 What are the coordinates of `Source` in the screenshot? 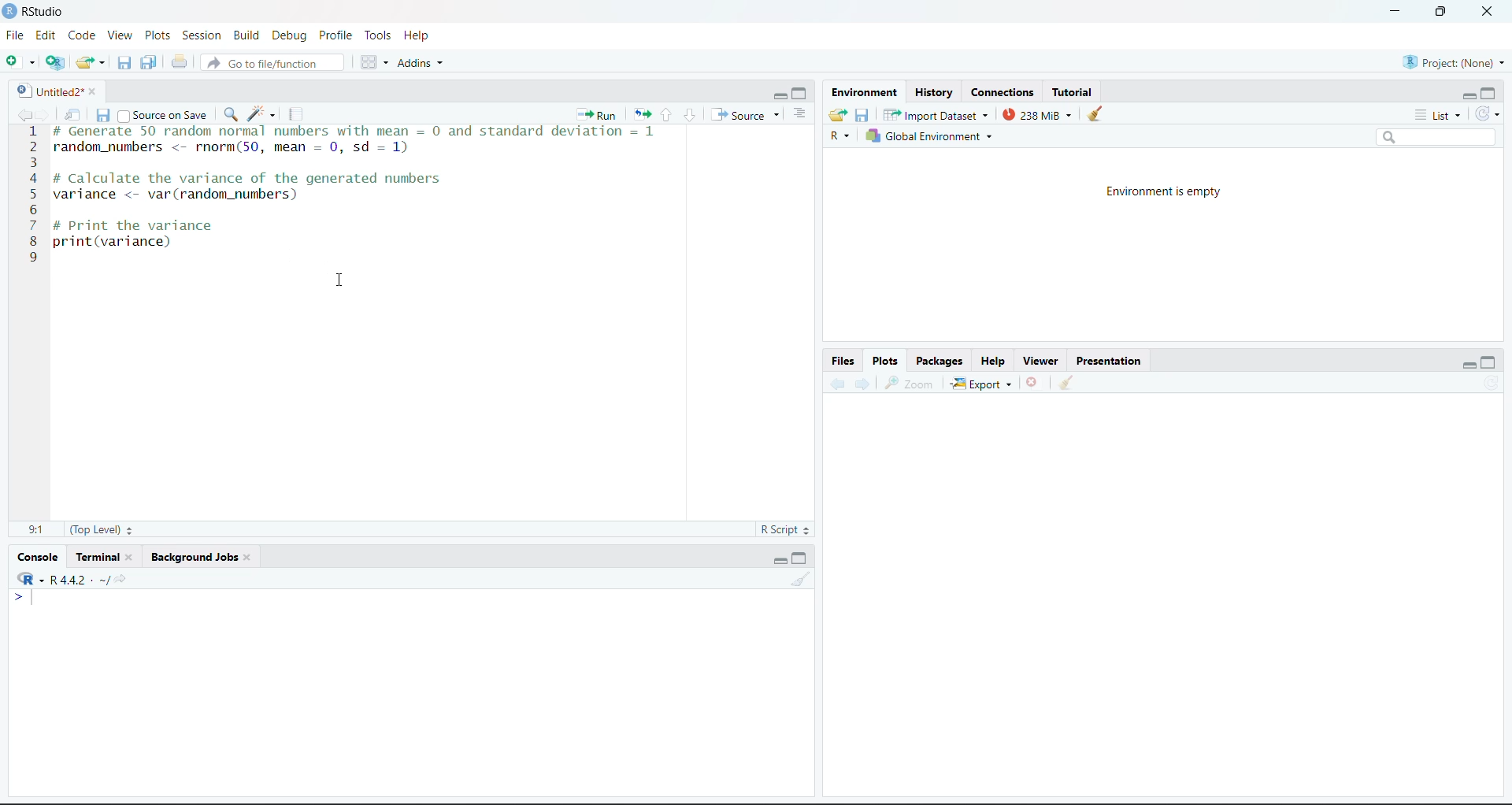 It's located at (746, 114).